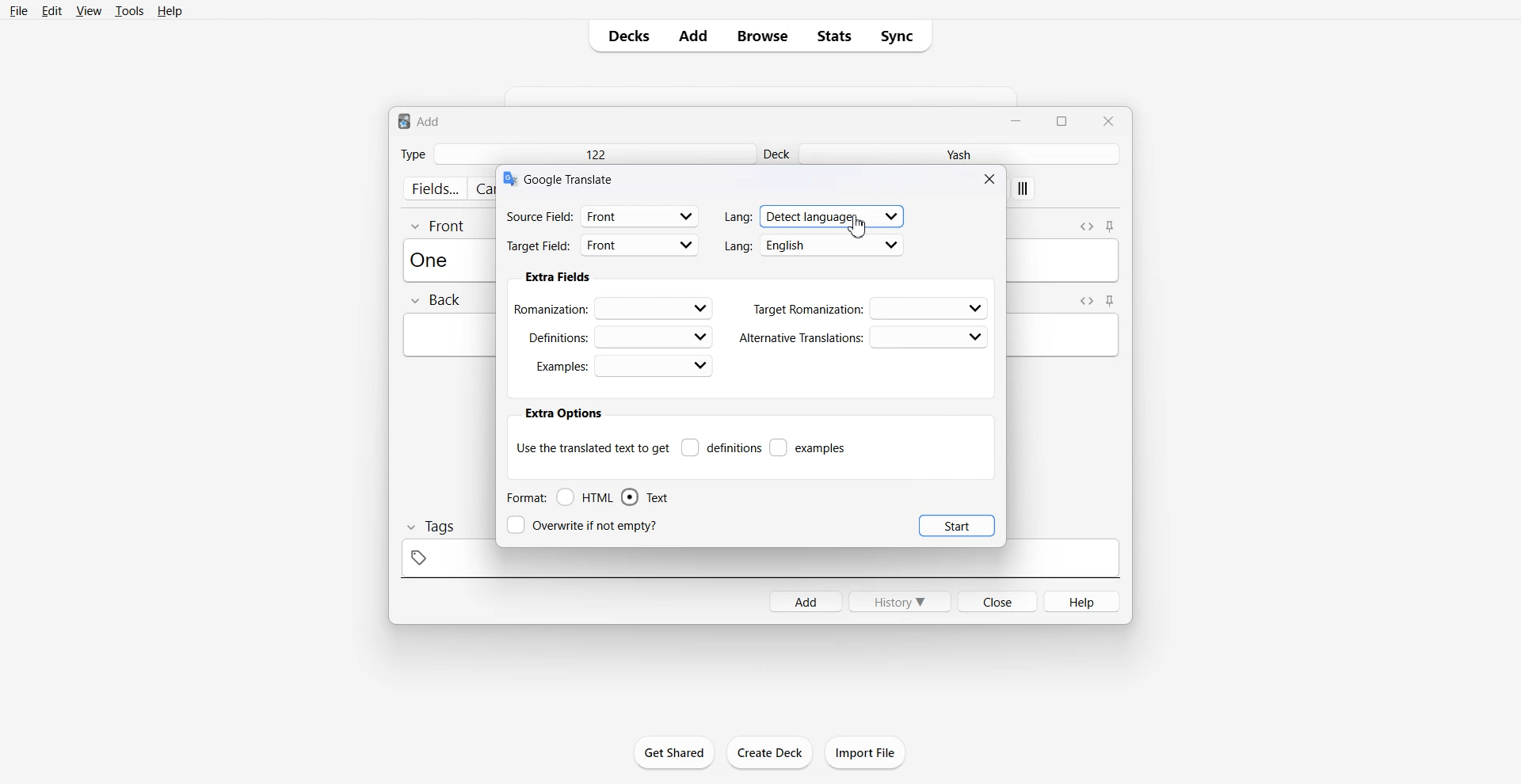 The width and height of the screenshot is (1521, 784). What do you see at coordinates (51, 10) in the screenshot?
I see `Edit` at bounding box center [51, 10].